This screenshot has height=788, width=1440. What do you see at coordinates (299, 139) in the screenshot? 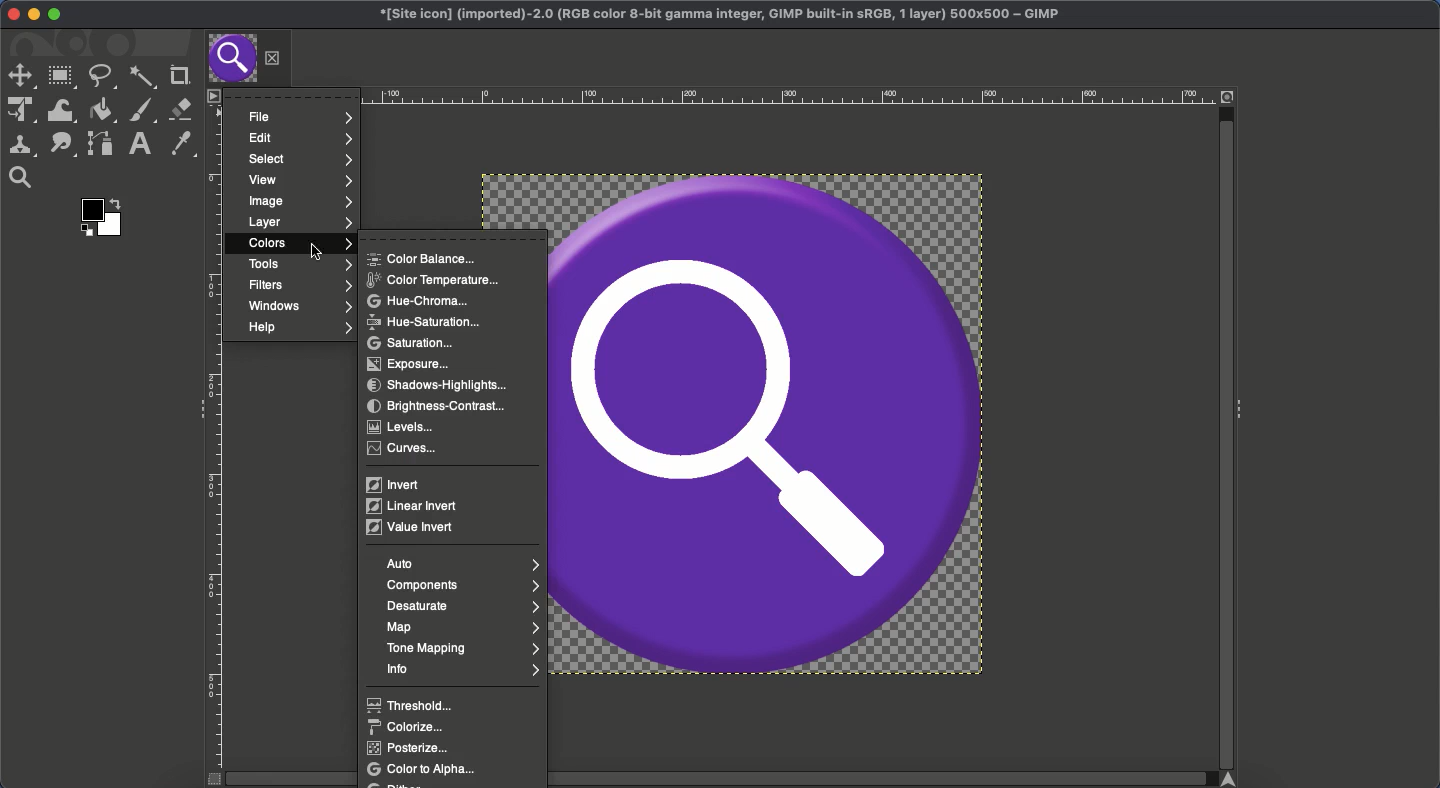
I see `Edit` at bounding box center [299, 139].